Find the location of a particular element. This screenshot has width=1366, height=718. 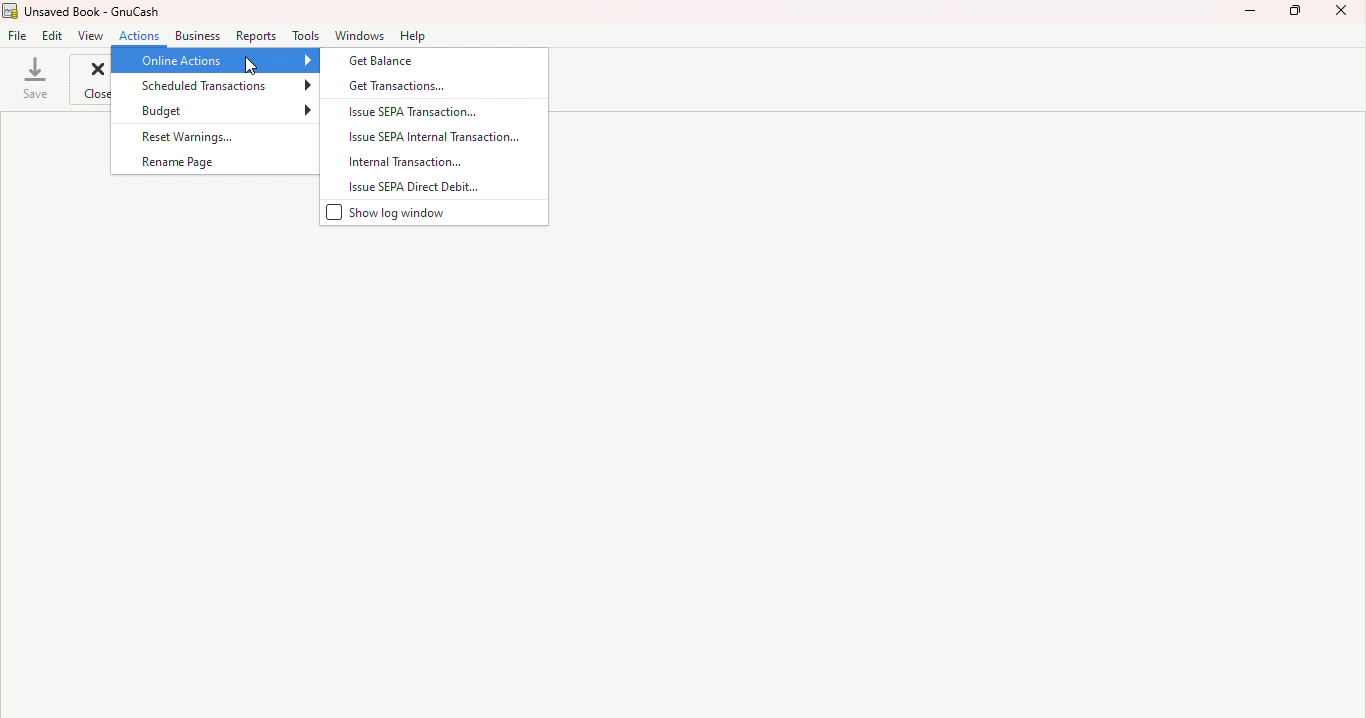

Reports is located at coordinates (254, 34).